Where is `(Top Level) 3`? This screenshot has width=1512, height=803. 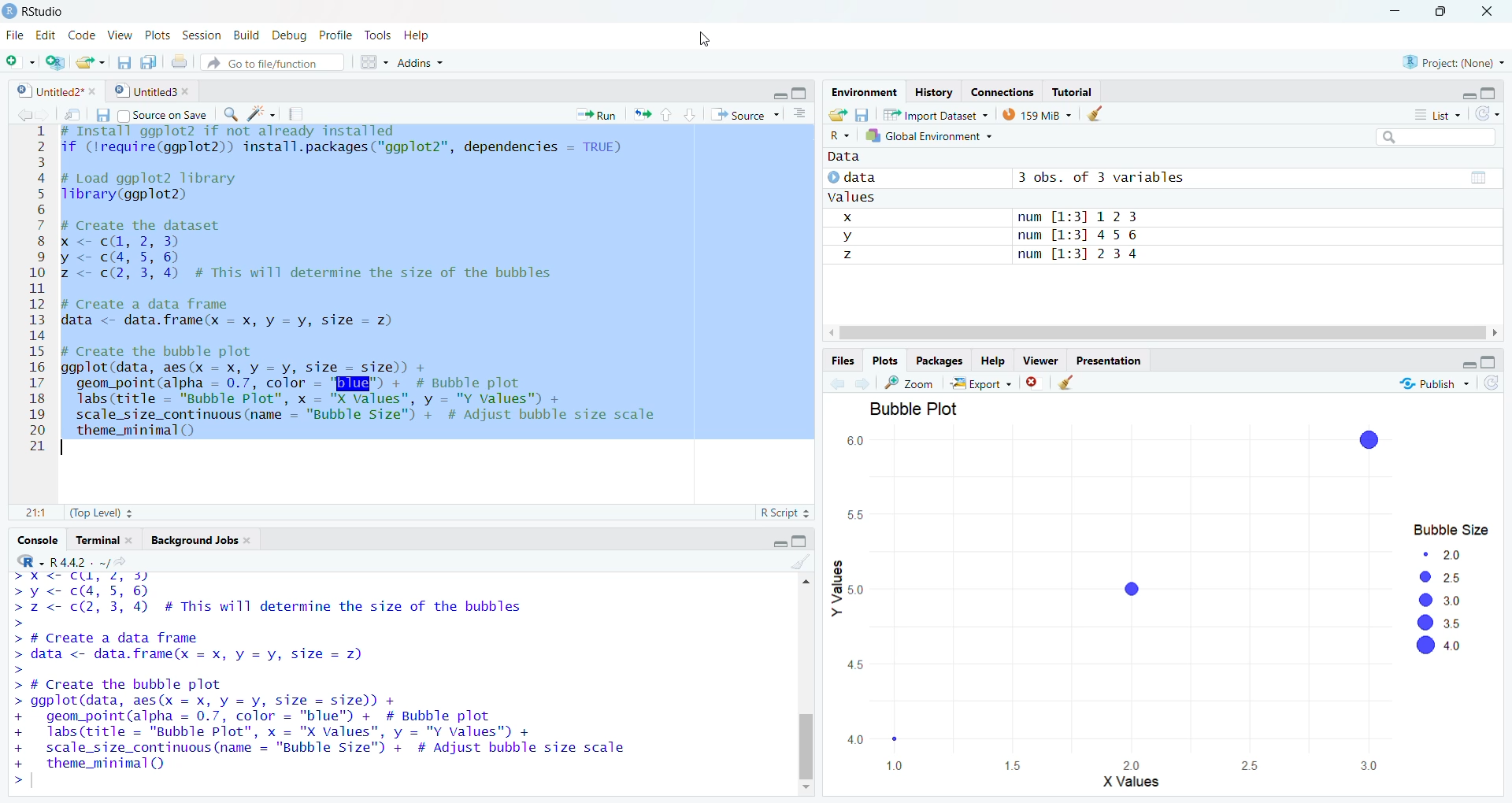
(Top Level) 3 is located at coordinates (92, 515).